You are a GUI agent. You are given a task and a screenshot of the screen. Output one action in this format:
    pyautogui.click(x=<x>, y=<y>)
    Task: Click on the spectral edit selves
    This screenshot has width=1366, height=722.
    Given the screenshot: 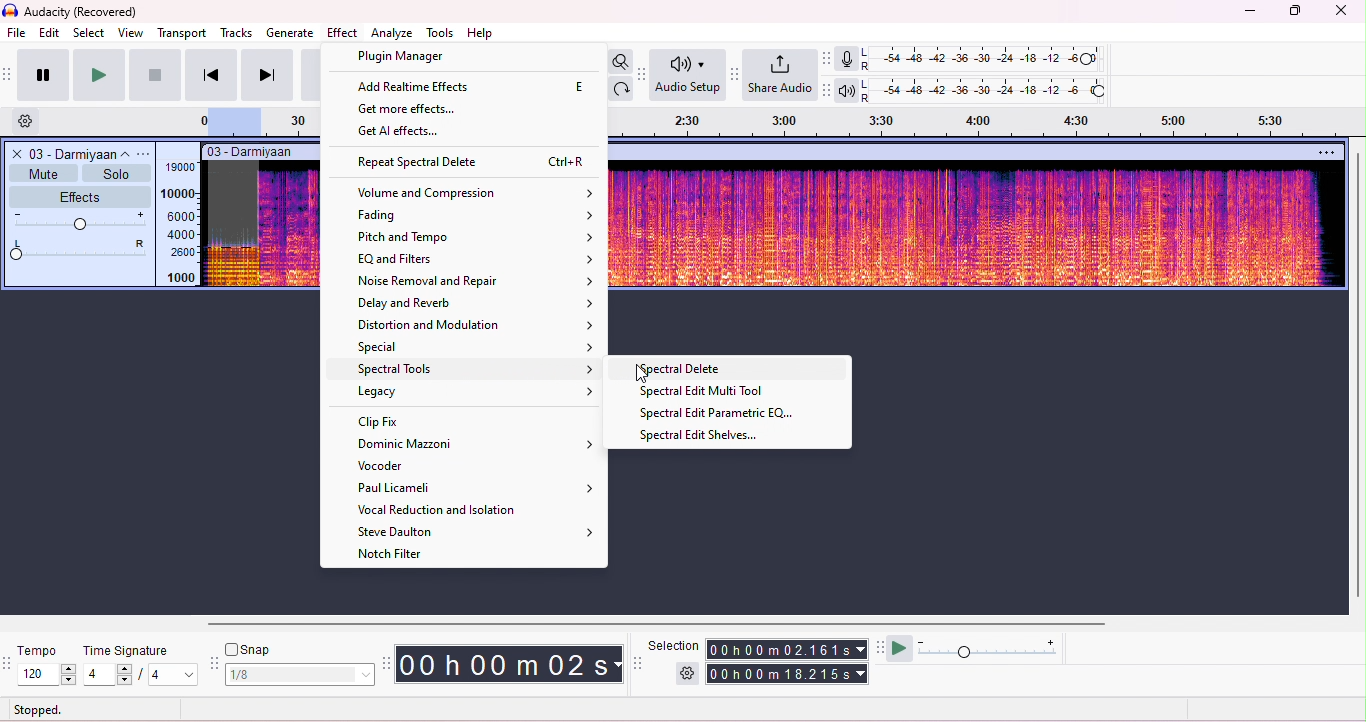 What is the action you would take?
    pyautogui.click(x=705, y=436)
    